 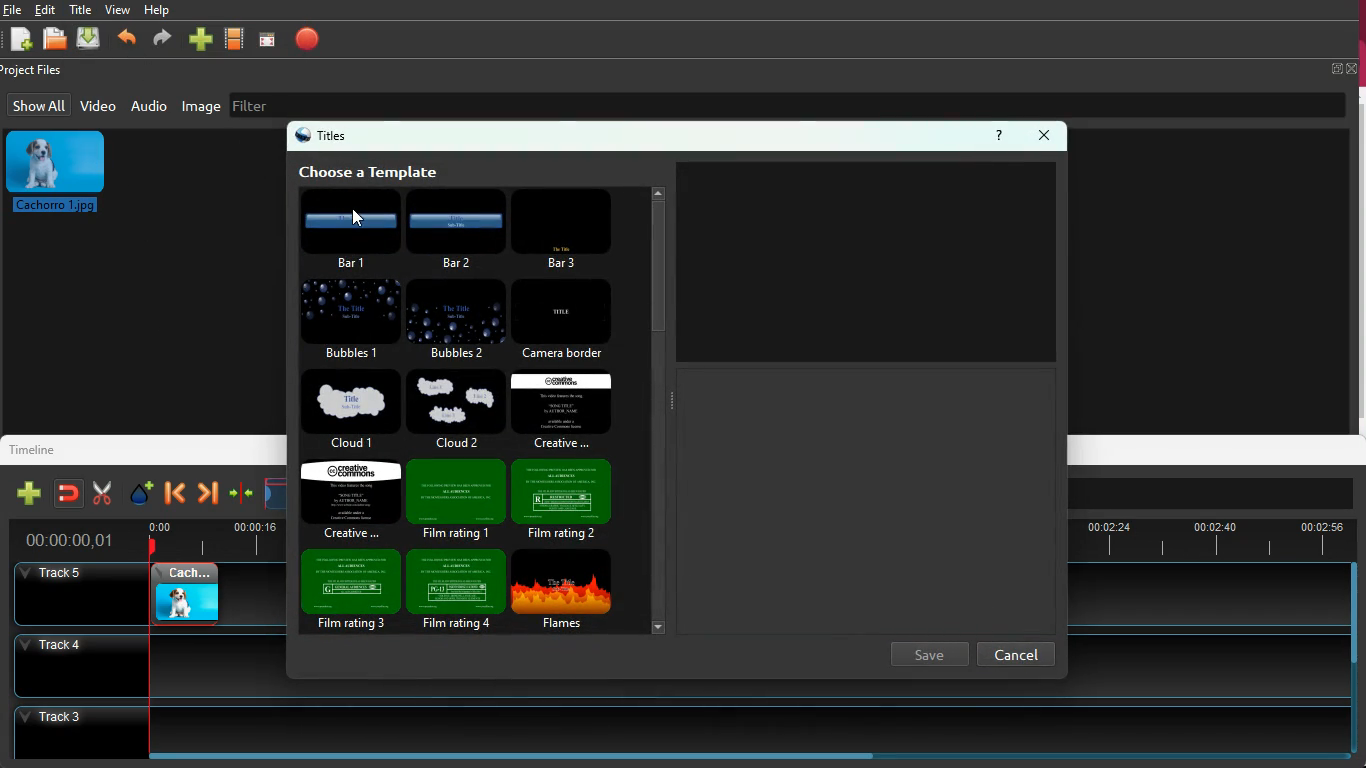 I want to click on file, so click(x=13, y=10).